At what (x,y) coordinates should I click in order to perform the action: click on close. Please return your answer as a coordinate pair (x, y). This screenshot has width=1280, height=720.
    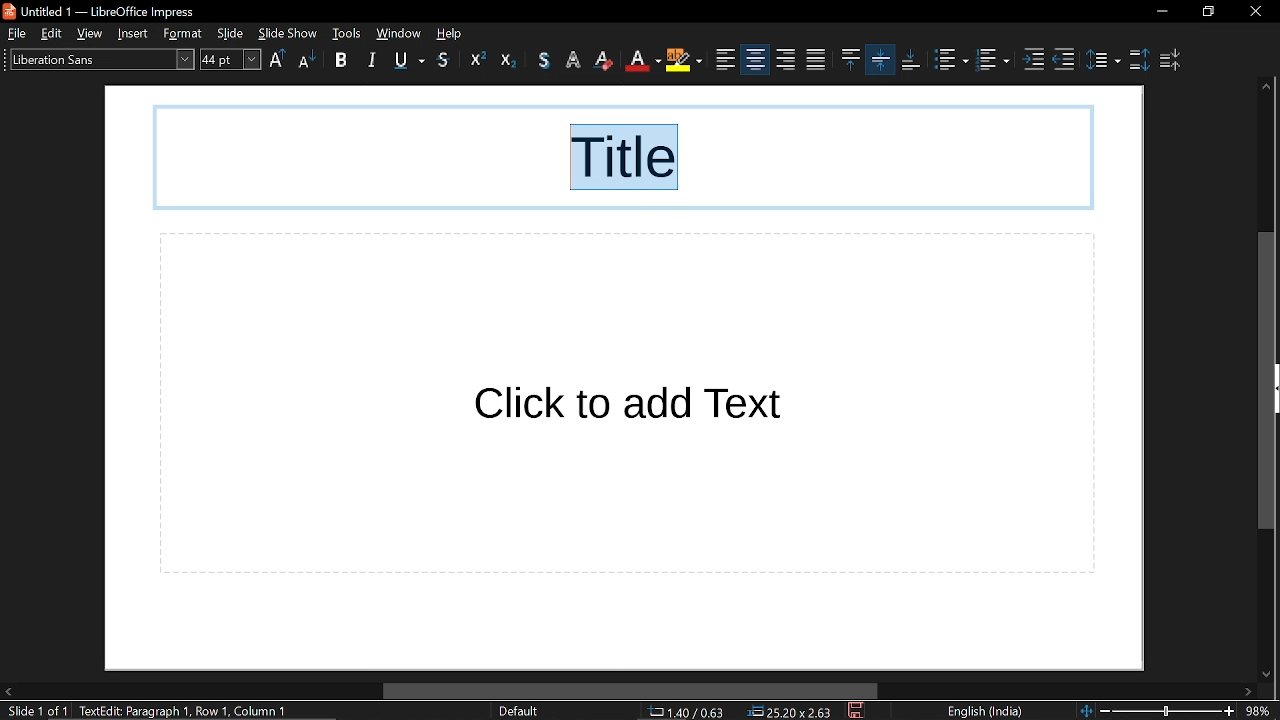
    Looking at the image, I should click on (1255, 12).